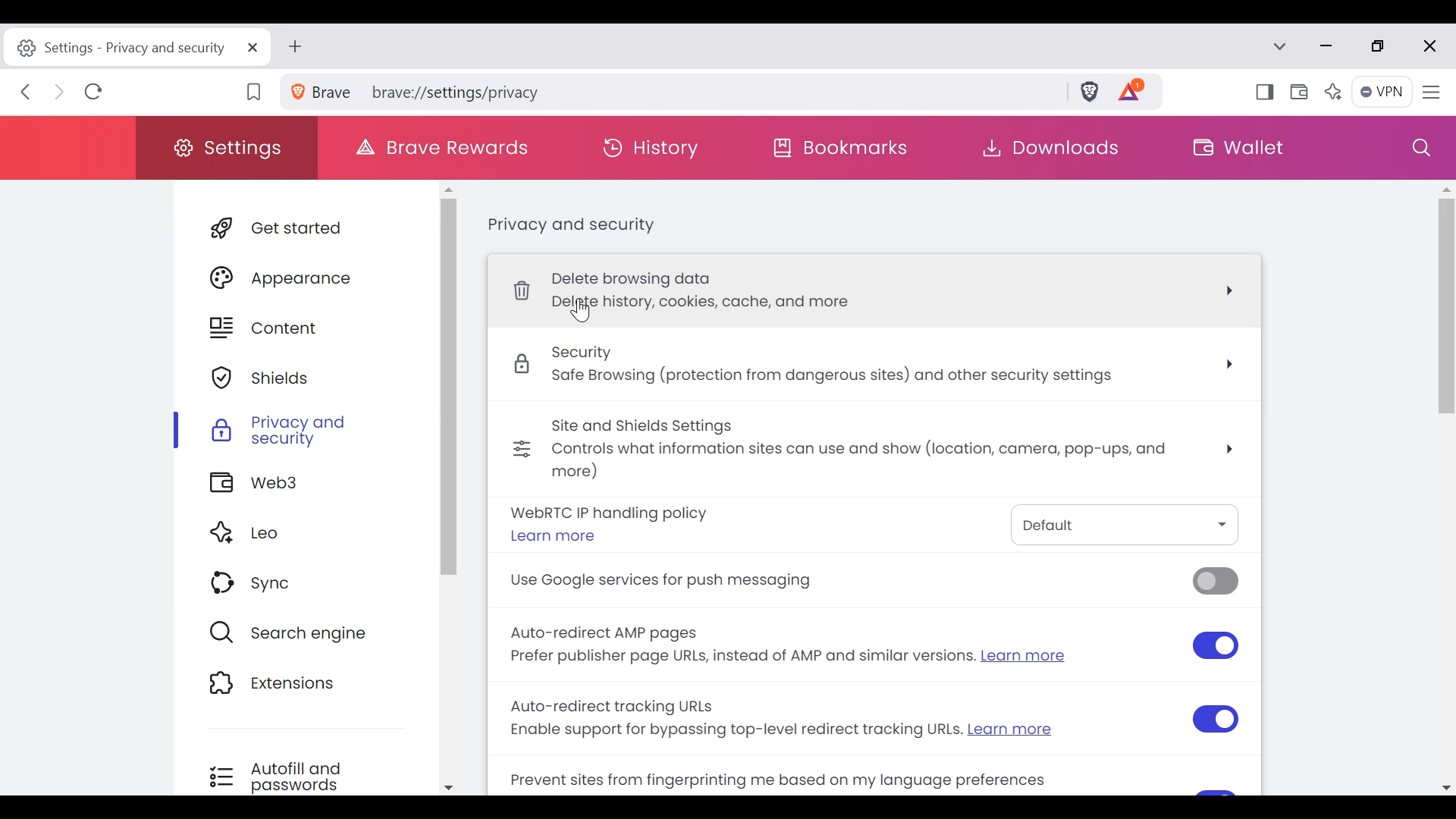 This screenshot has height=819, width=1456. I want to click on New Tab, so click(299, 48).